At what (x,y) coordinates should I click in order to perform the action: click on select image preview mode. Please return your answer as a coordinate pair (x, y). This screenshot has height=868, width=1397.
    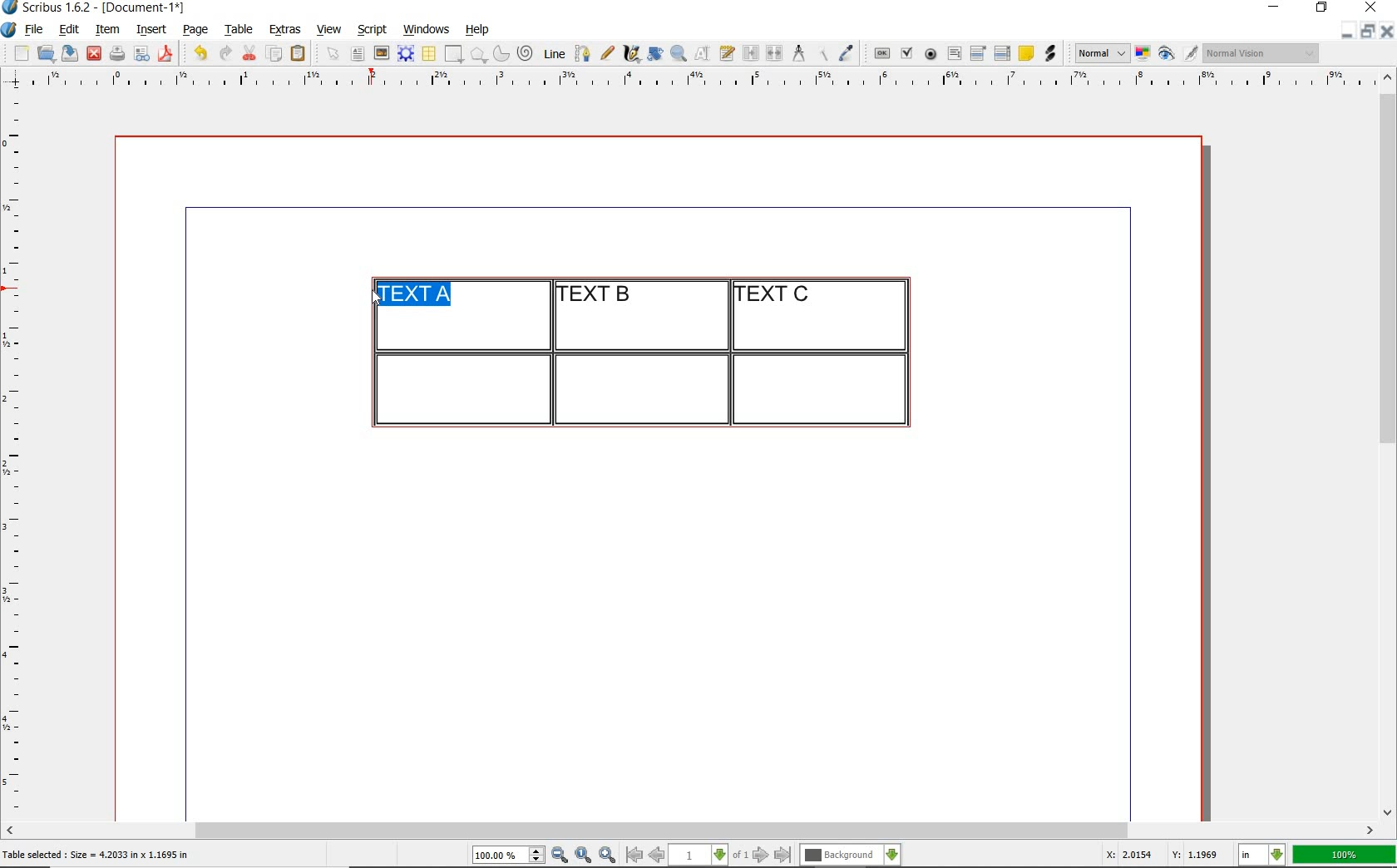
    Looking at the image, I should click on (1101, 54).